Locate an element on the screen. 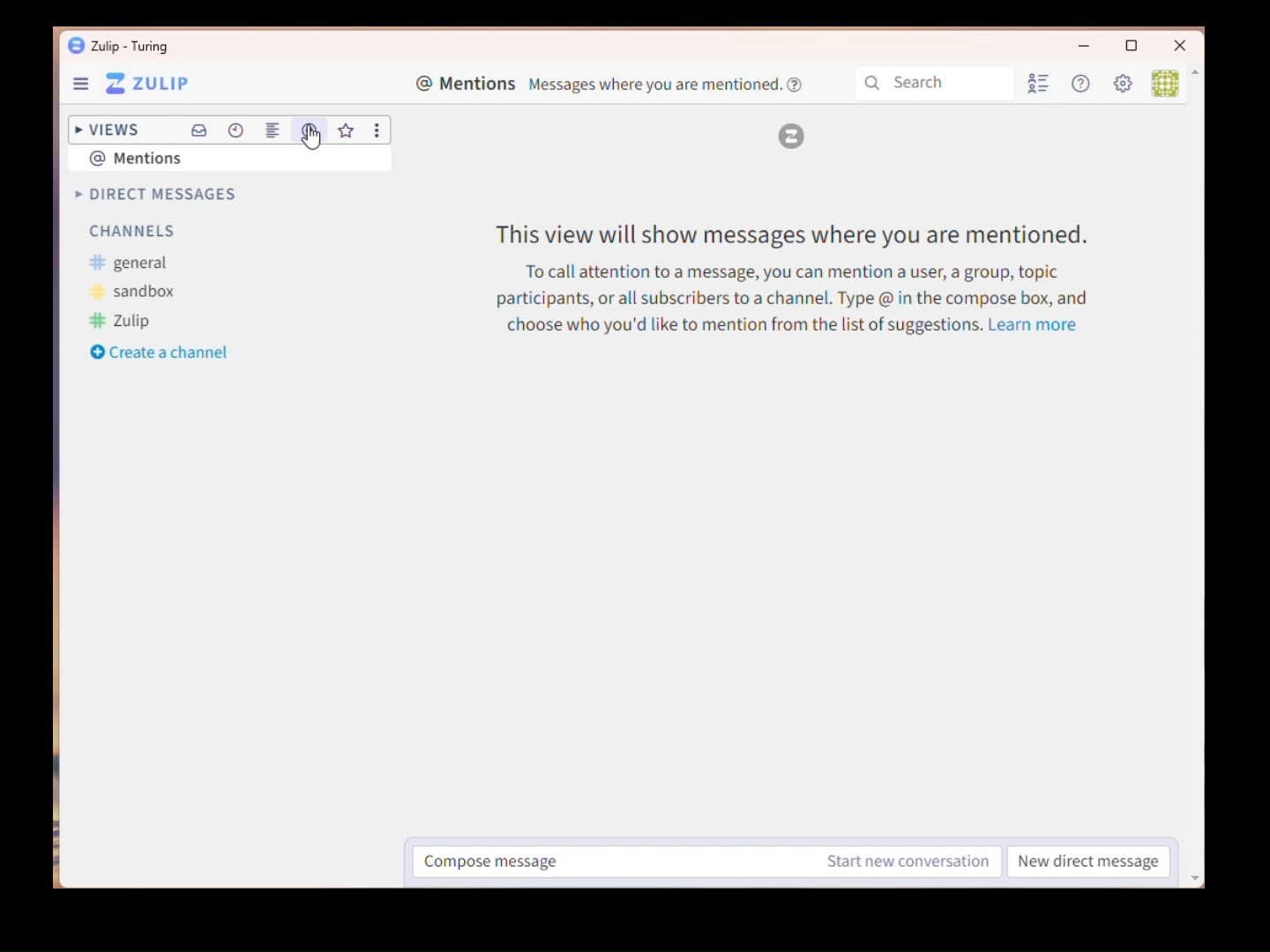  User is located at coordinates (1162, 82).